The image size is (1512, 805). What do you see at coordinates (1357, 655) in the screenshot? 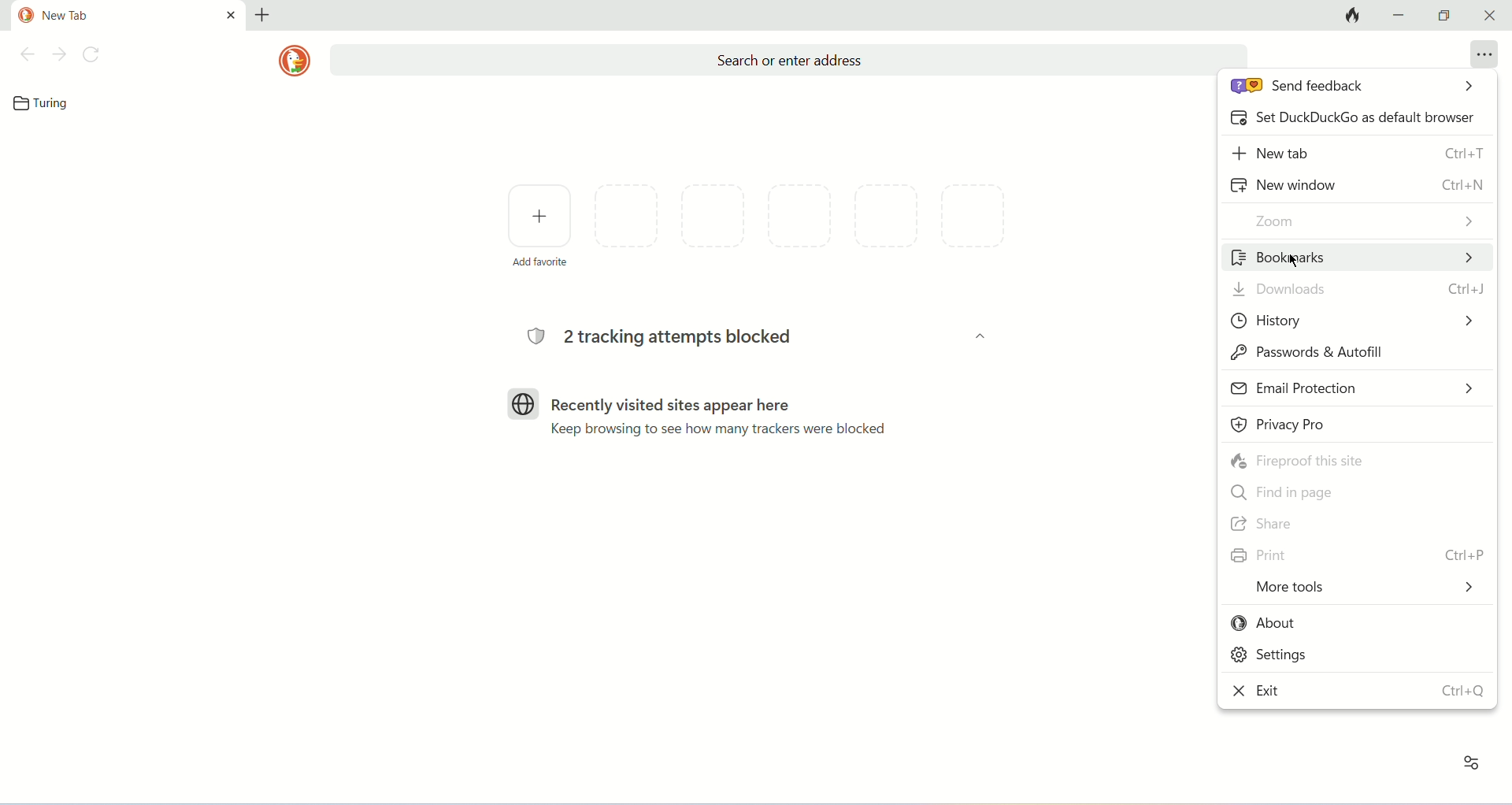
I see `settings` at bounding box center [1357, 655].